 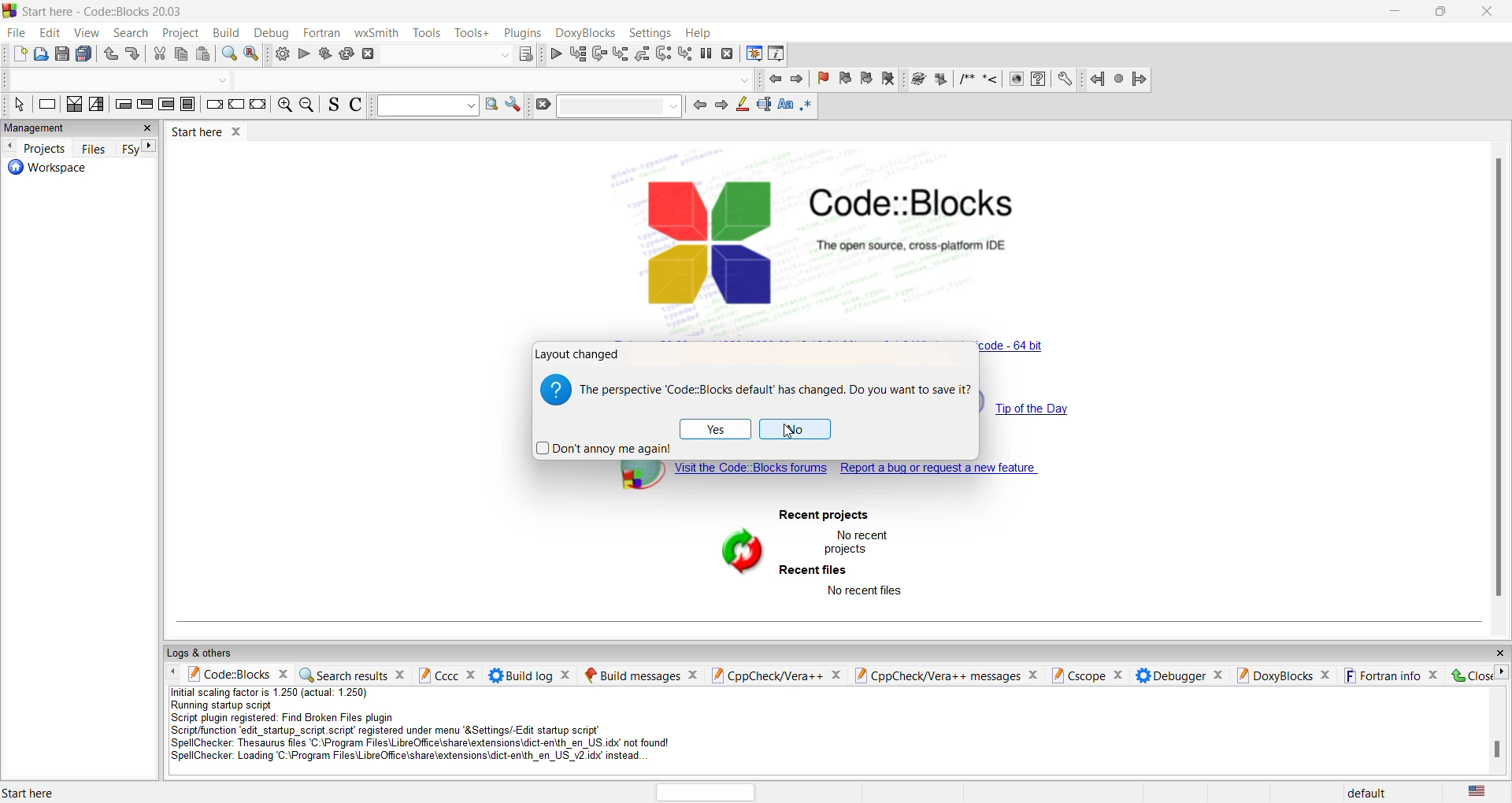 I want to click on instruction, so click(x=97, y=105).